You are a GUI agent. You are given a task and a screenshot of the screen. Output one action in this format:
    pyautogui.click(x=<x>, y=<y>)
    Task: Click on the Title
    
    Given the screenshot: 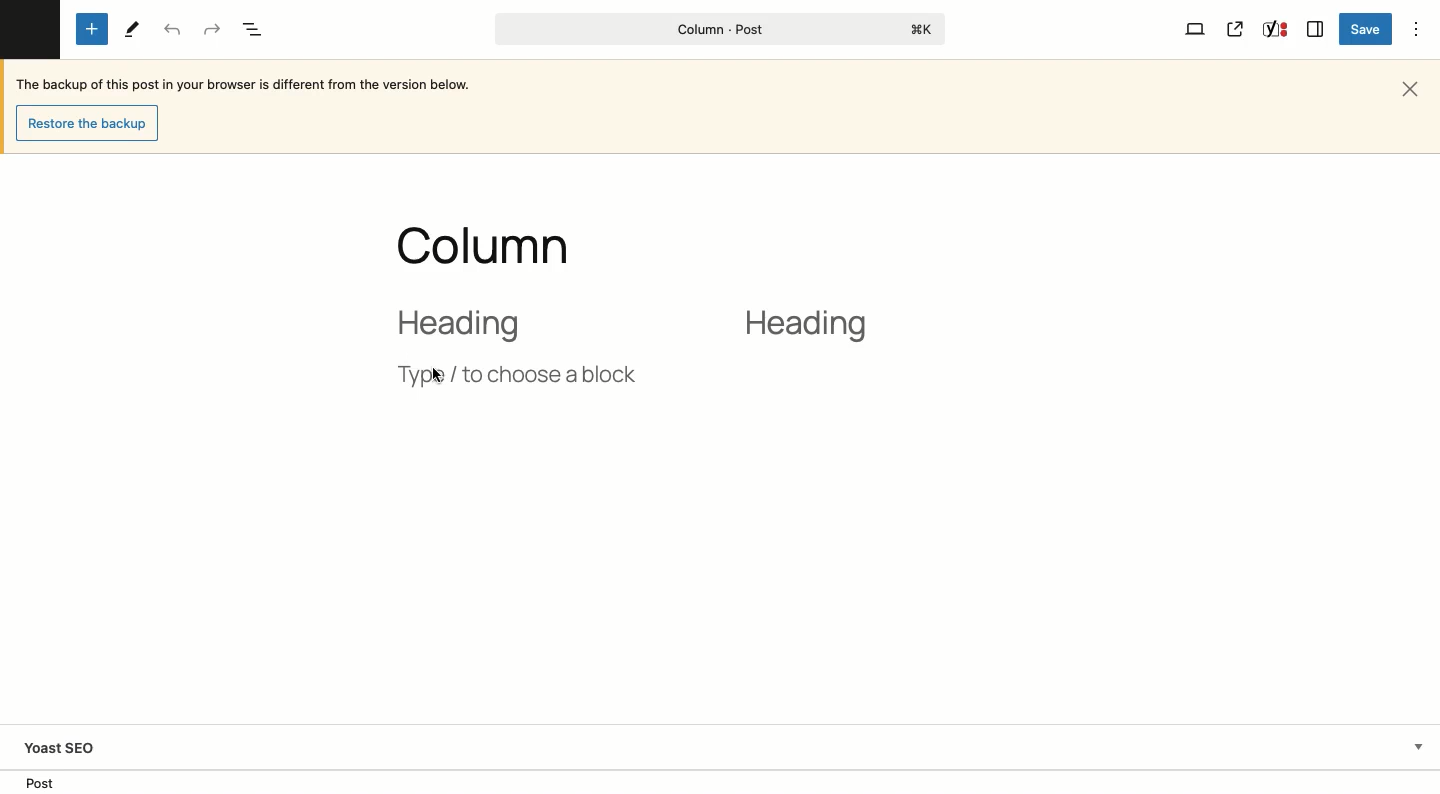 What is the action you would take?
    pyautogui.click(x=499, y=241)
    